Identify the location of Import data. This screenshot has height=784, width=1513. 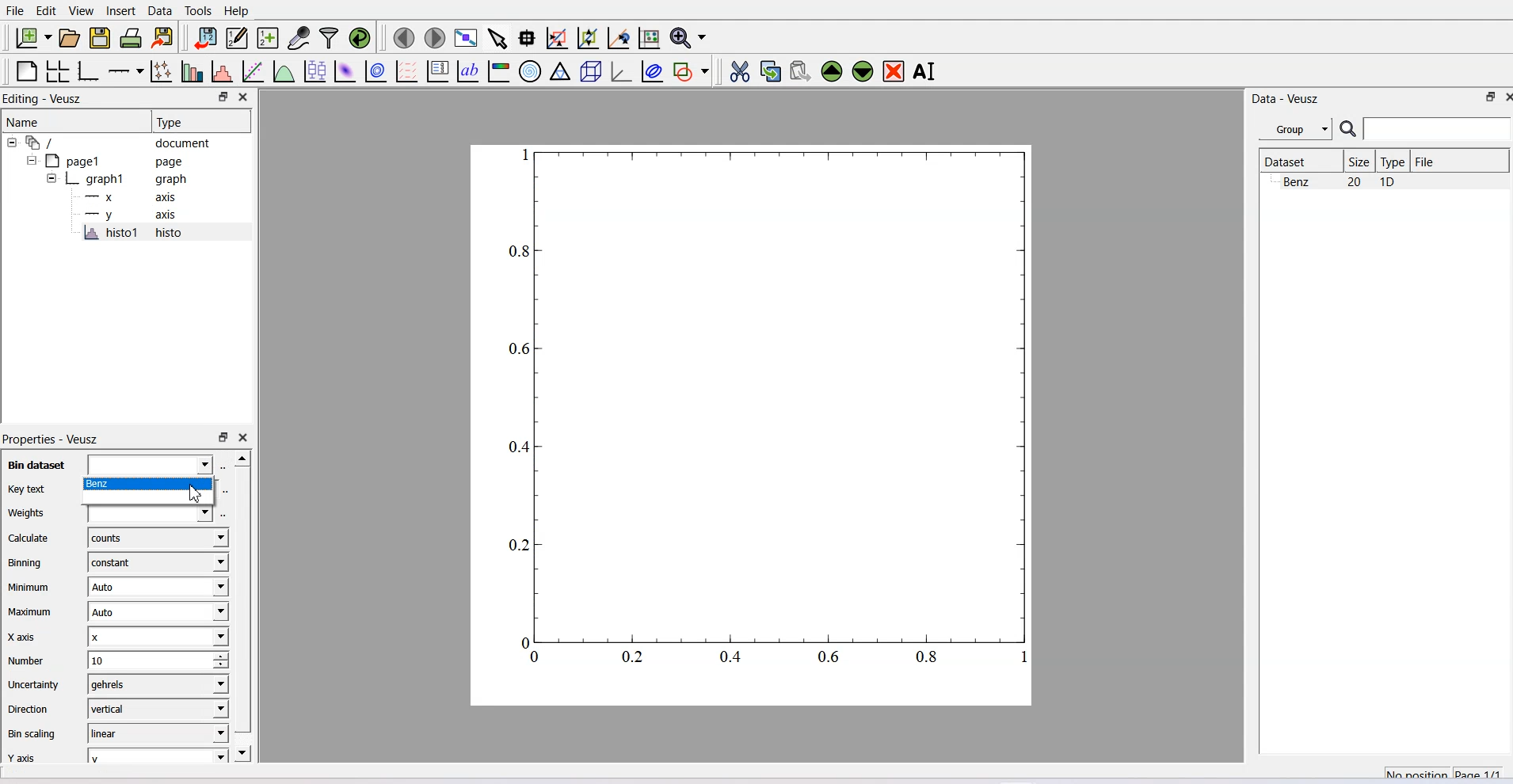
(205, 37).